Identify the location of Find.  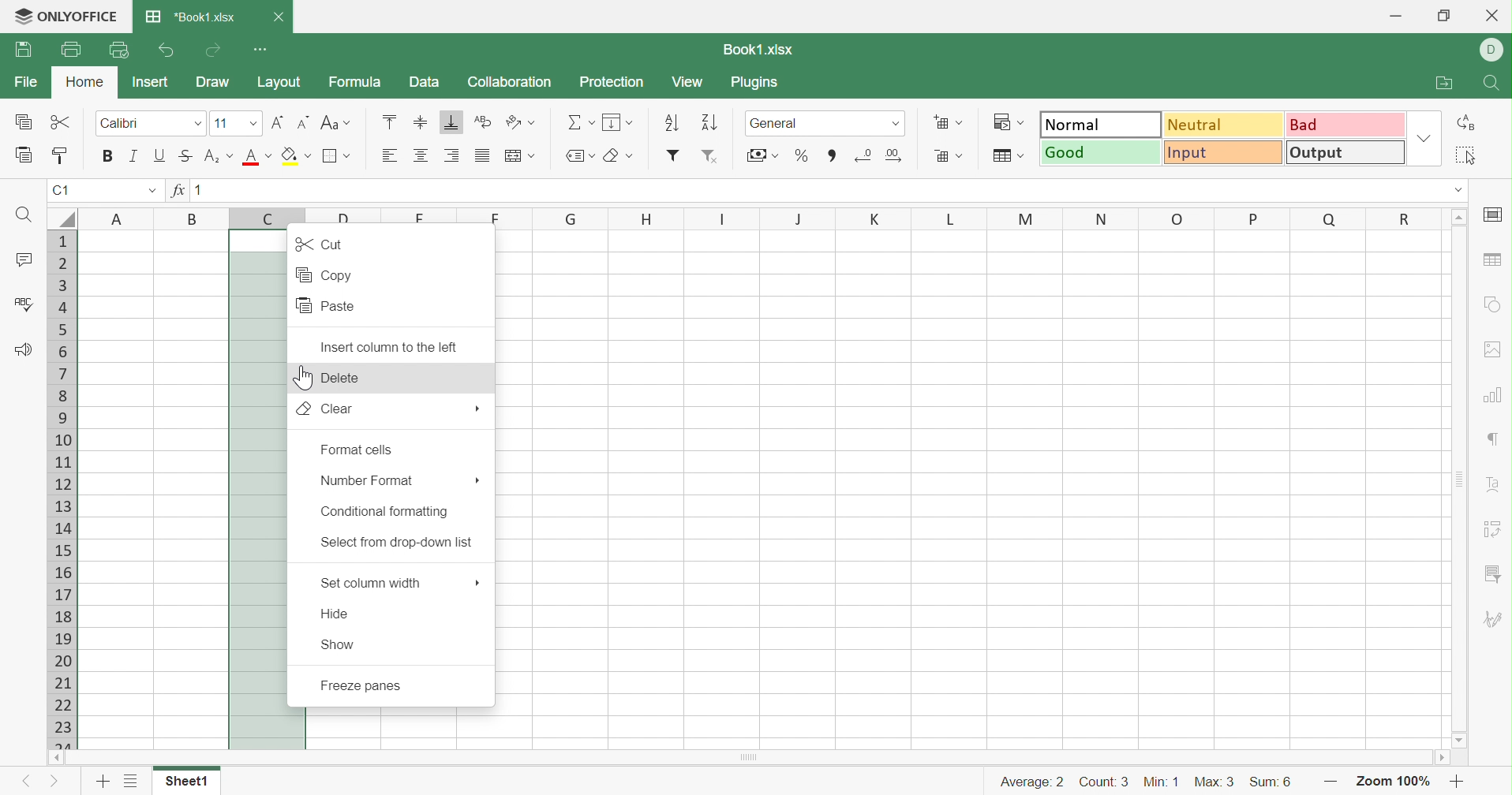
(24, 214).